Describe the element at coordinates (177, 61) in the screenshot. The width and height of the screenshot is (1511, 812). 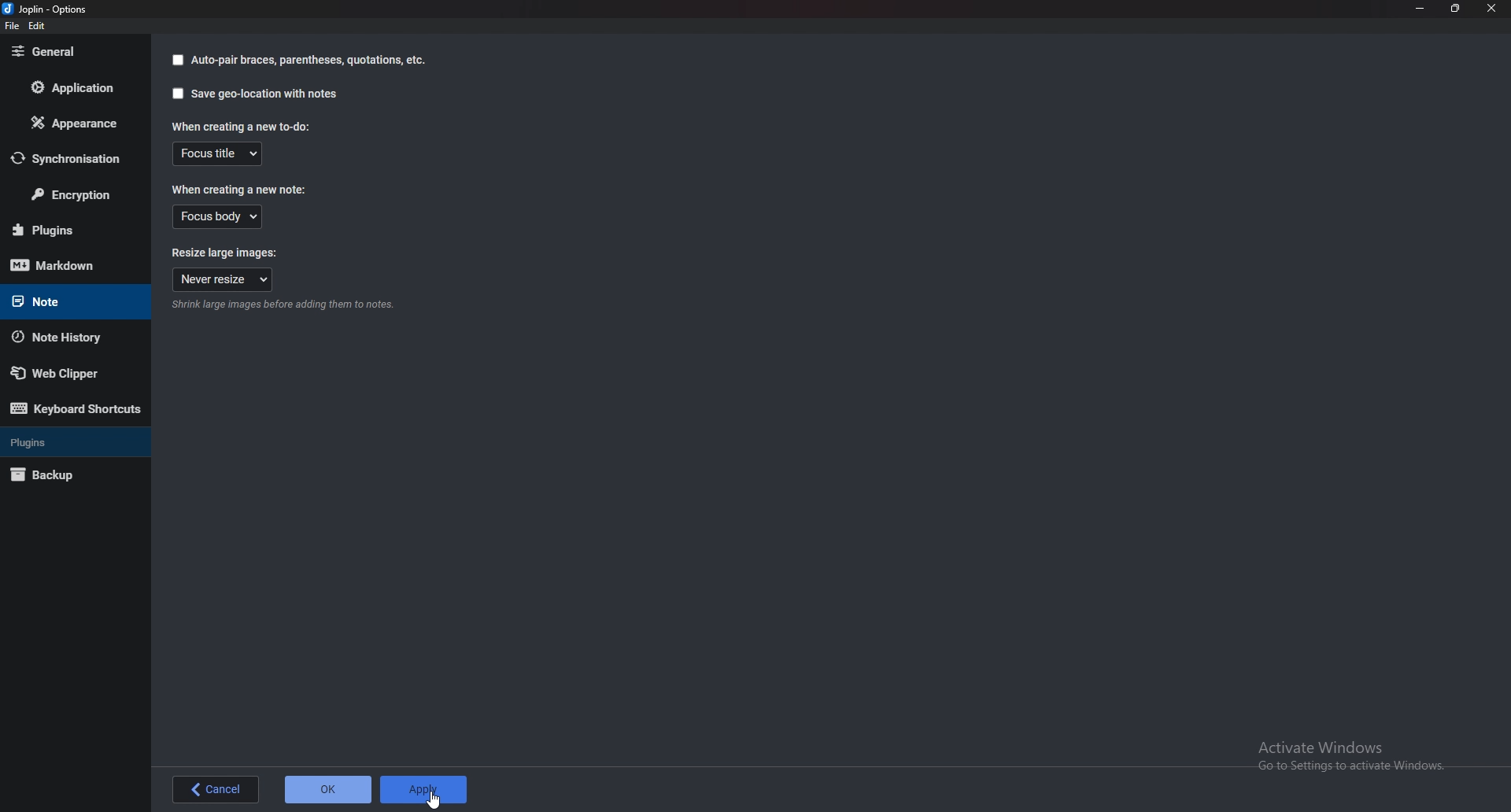
I see `Checkbox ` at that location.